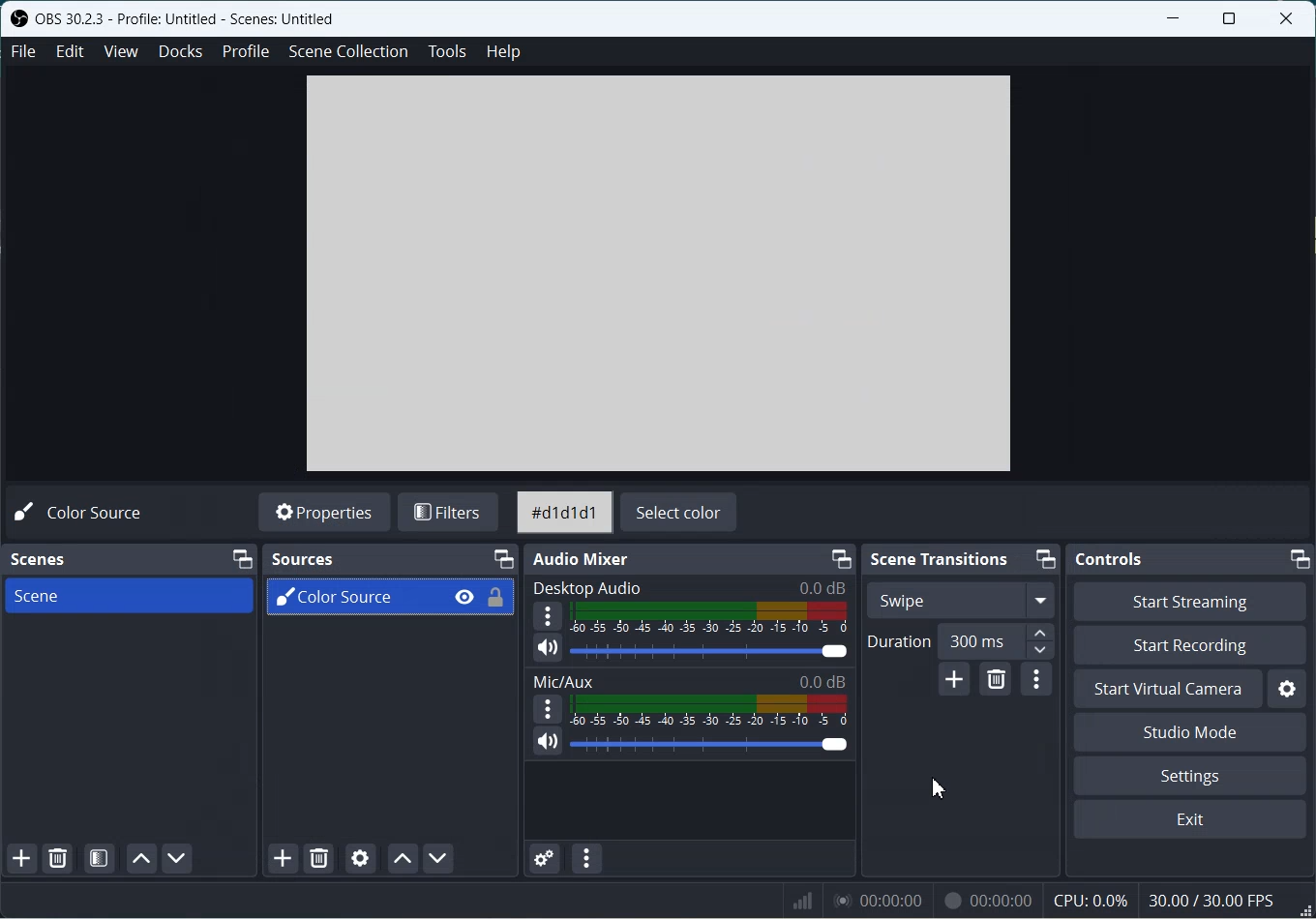  I want to click on More, so click(549, 710).